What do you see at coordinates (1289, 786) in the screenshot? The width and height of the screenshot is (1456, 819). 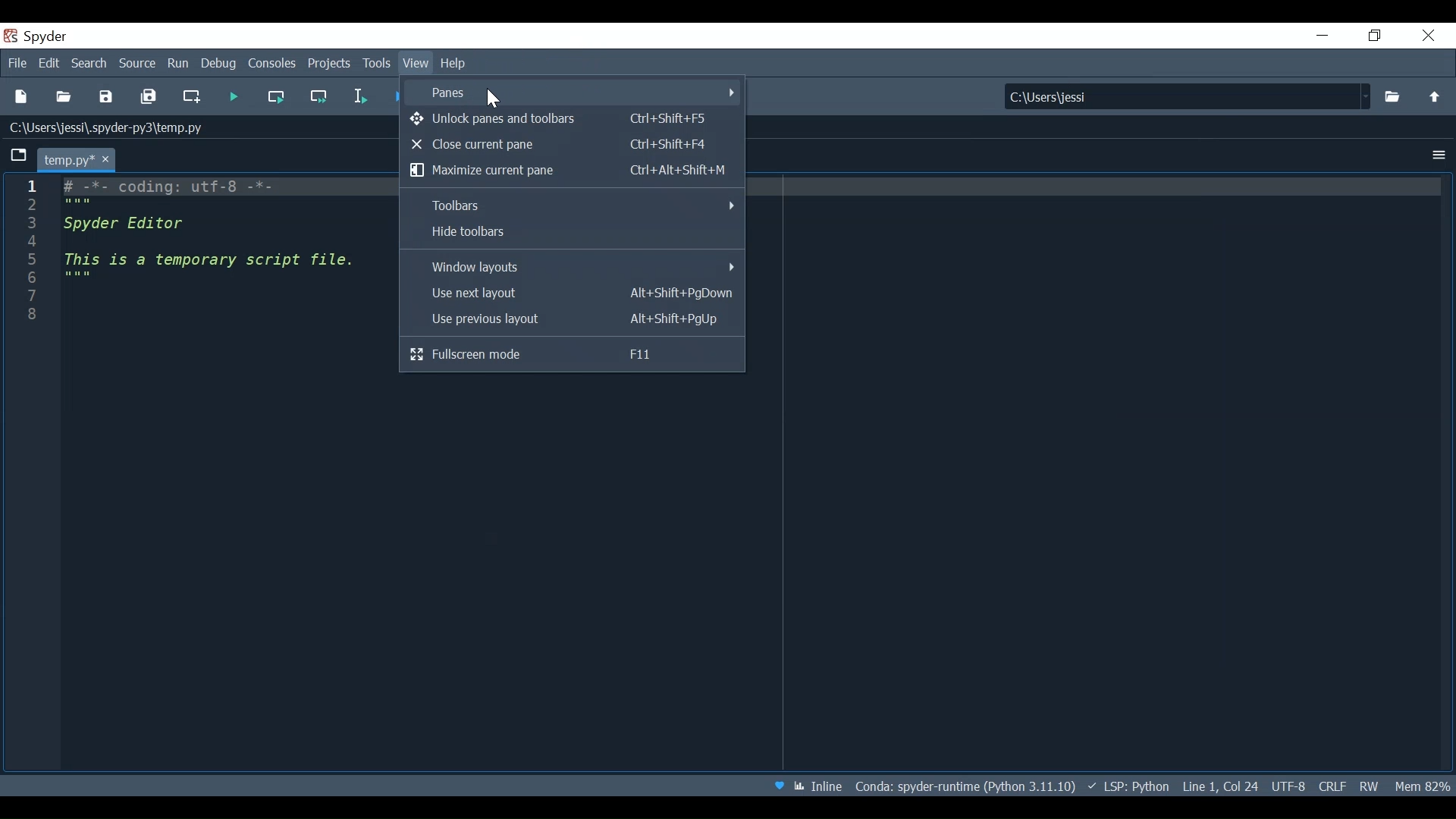 I see `File Encoding` at bounding box center [1289, 786].